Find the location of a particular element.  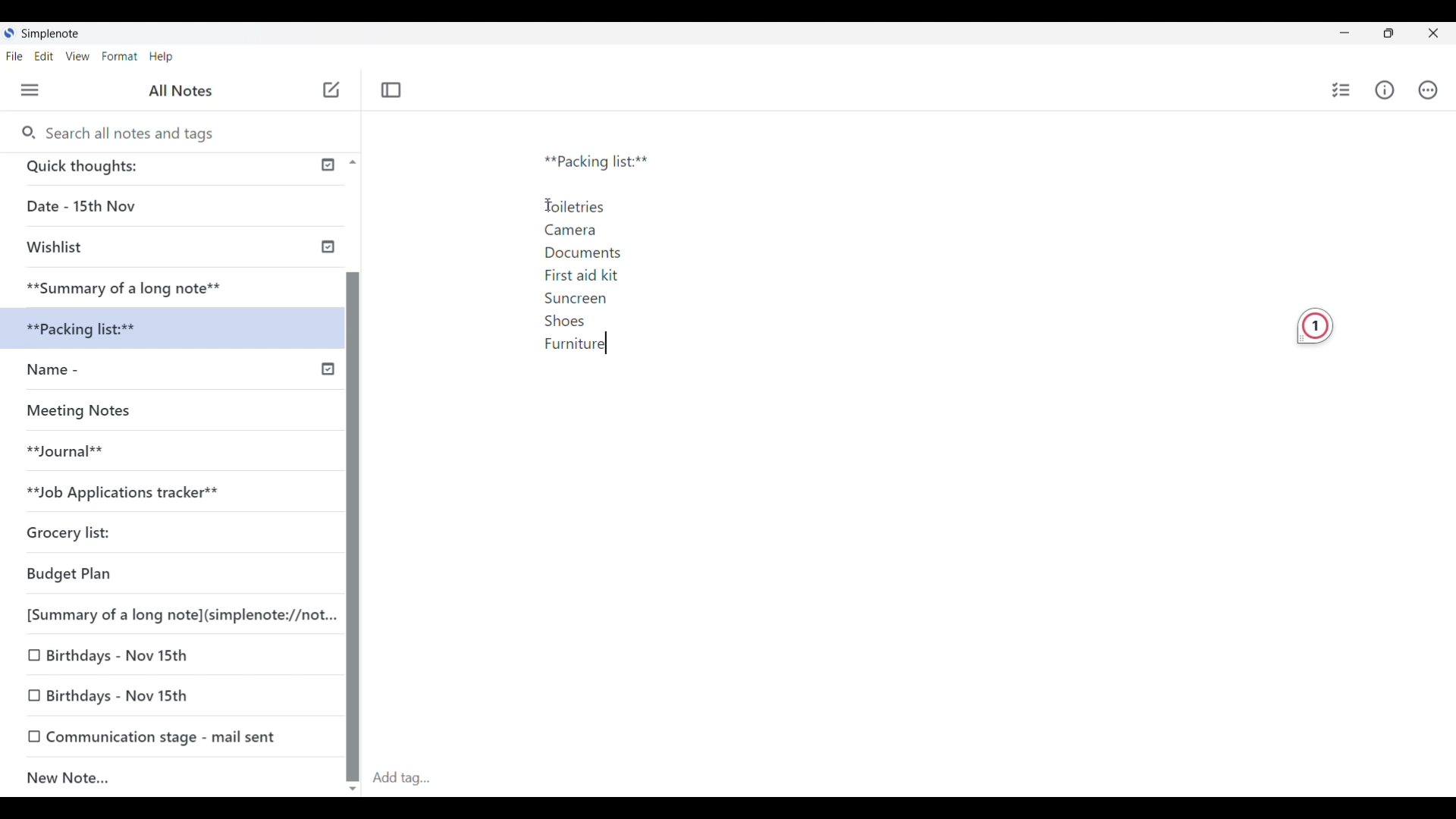

Grammarly extension is located at coordinates (1315, 326).